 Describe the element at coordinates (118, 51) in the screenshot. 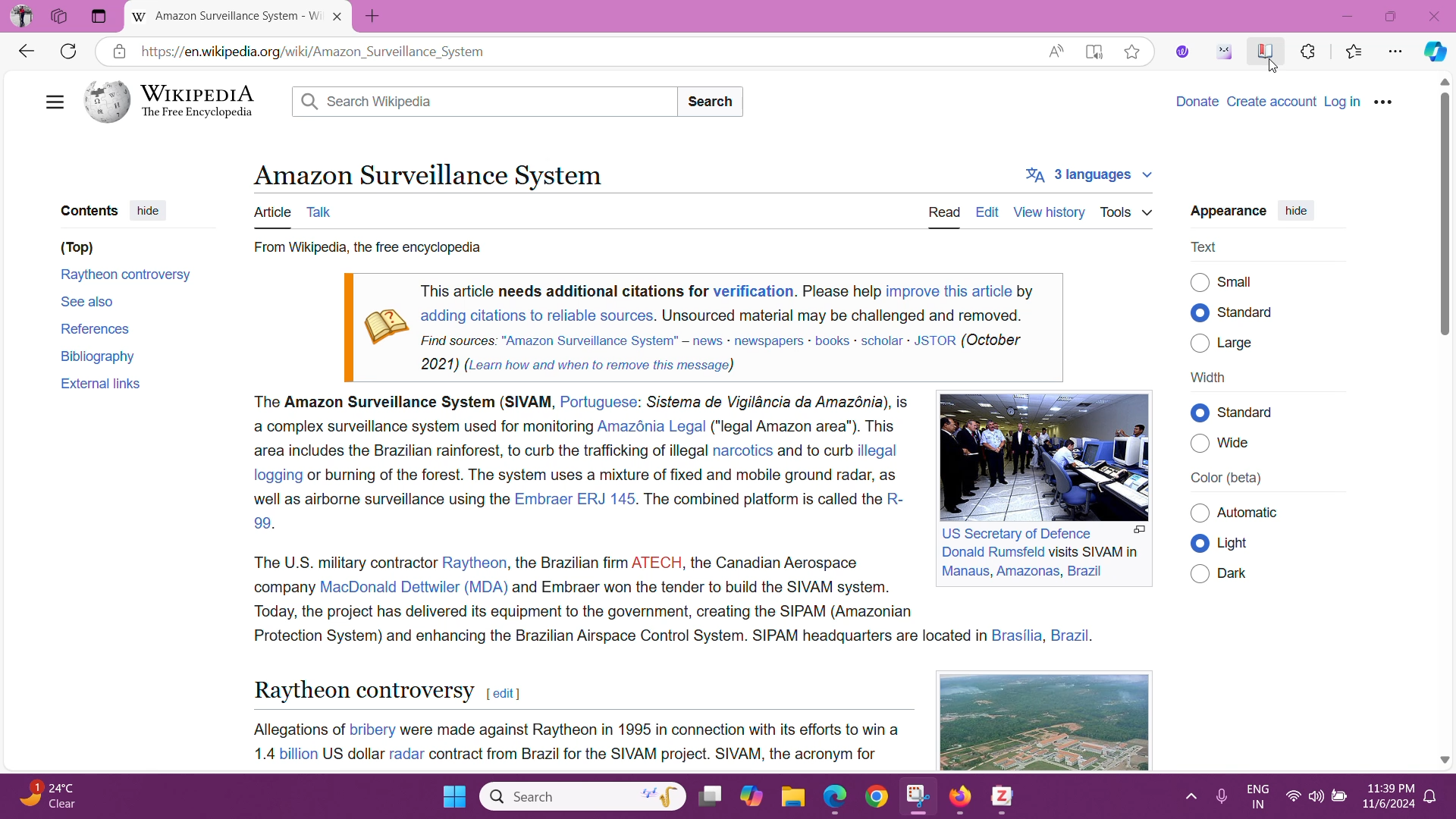

I see `View Site information` at that location.